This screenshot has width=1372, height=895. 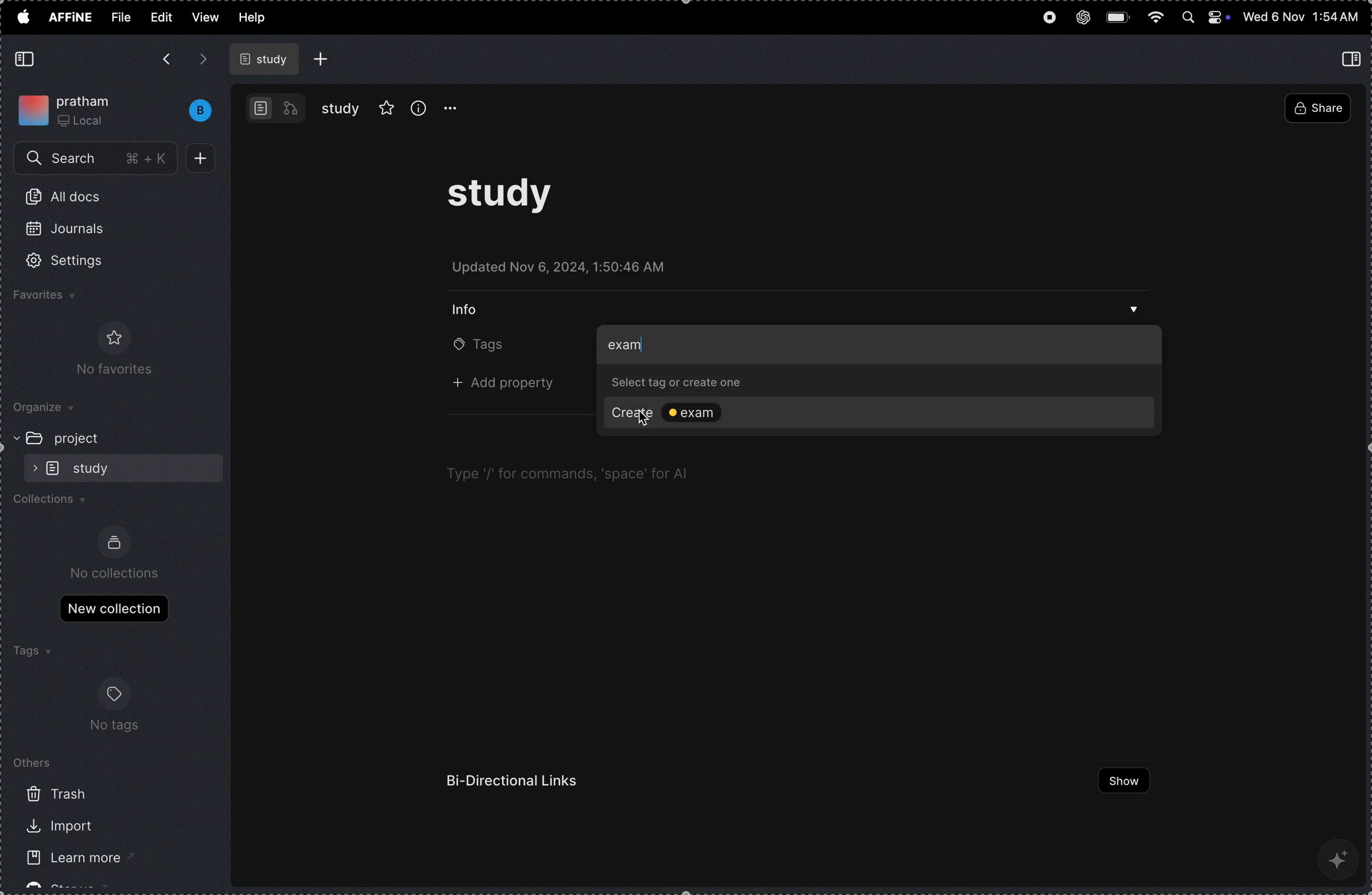 I want to click on tags, so click(x=480, y=347).